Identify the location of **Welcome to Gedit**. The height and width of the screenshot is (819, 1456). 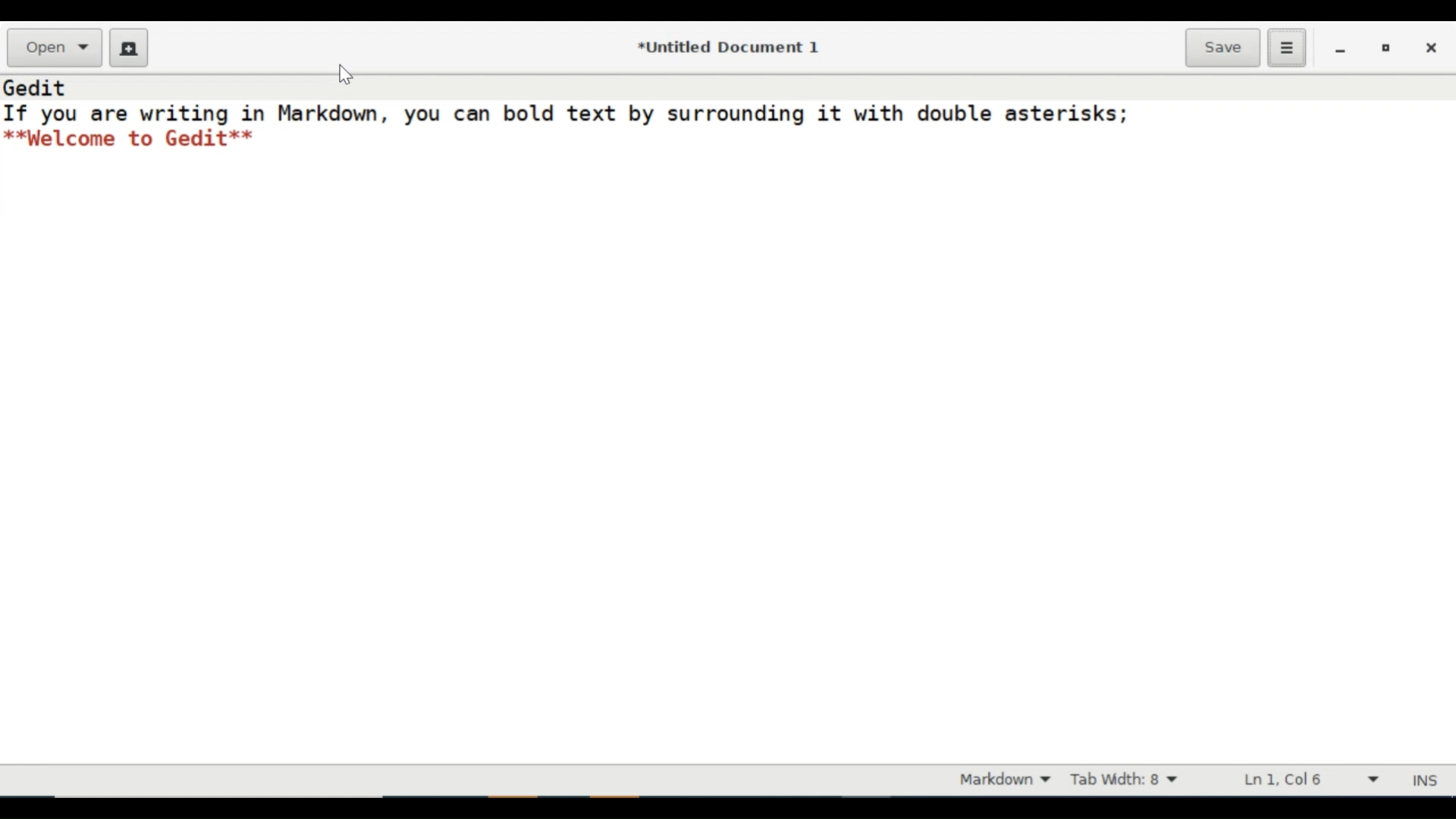
(130, 139).